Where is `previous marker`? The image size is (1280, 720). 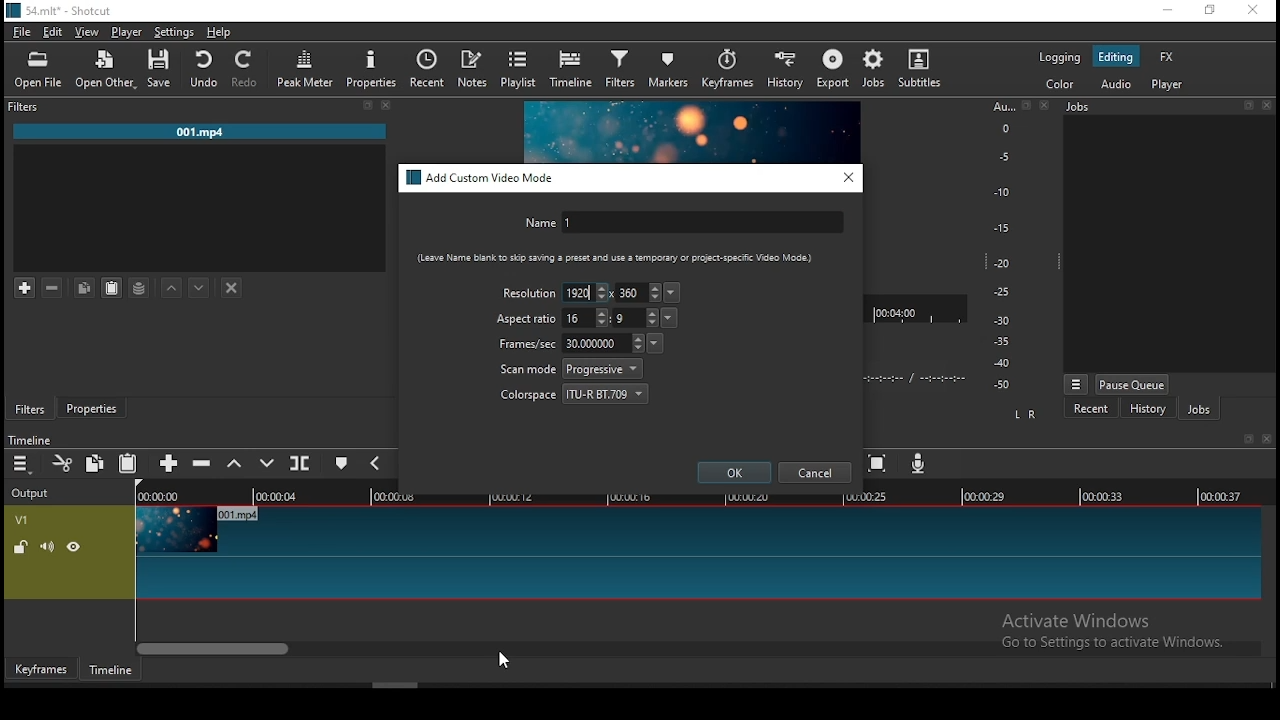 previous marker is located at coordinates (374, 462).